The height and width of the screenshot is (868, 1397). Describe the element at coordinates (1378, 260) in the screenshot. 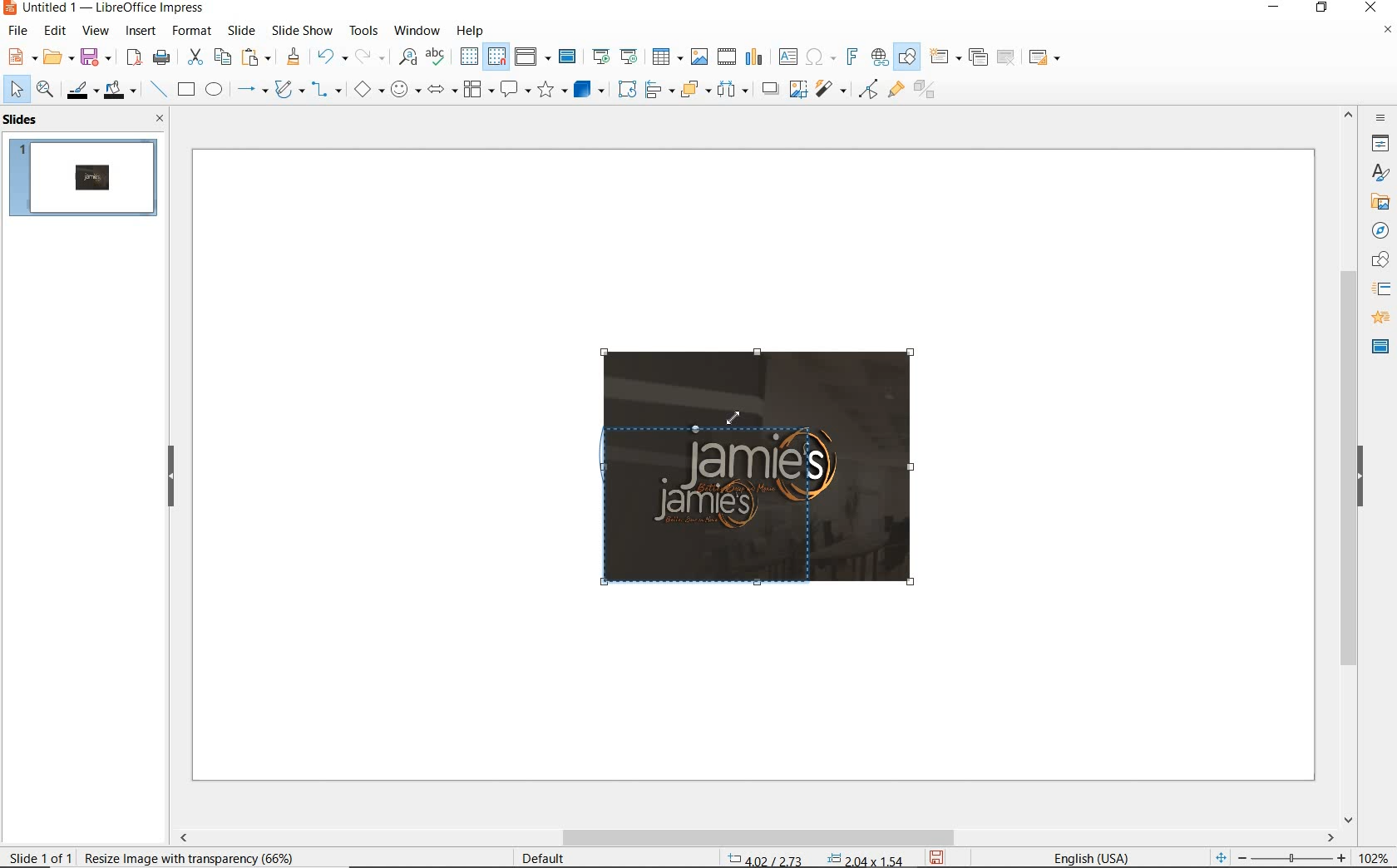

I see `shapes` at that location.